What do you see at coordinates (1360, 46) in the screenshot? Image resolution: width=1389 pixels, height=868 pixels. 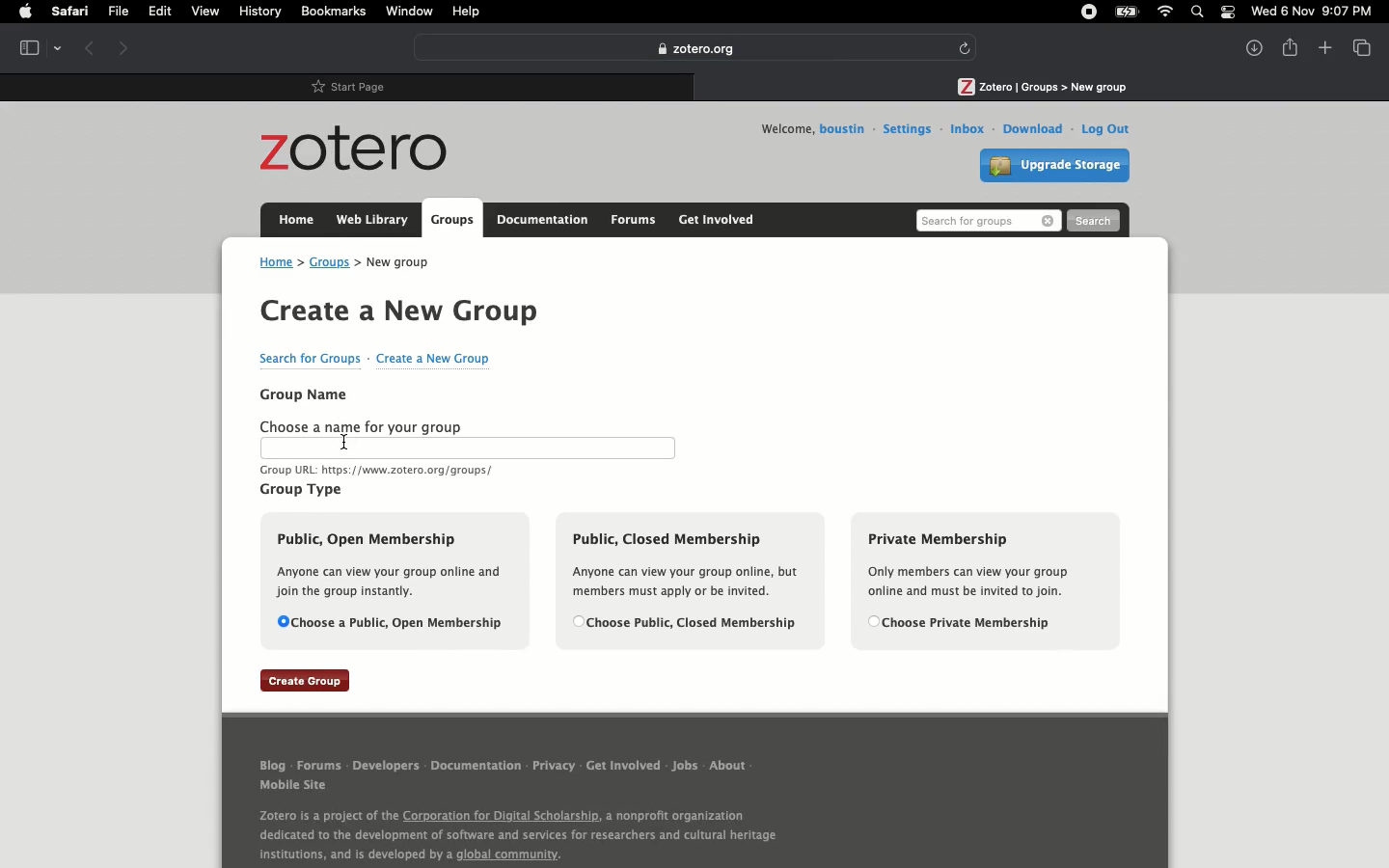 I see `View` at bounding box center [1360, 46].